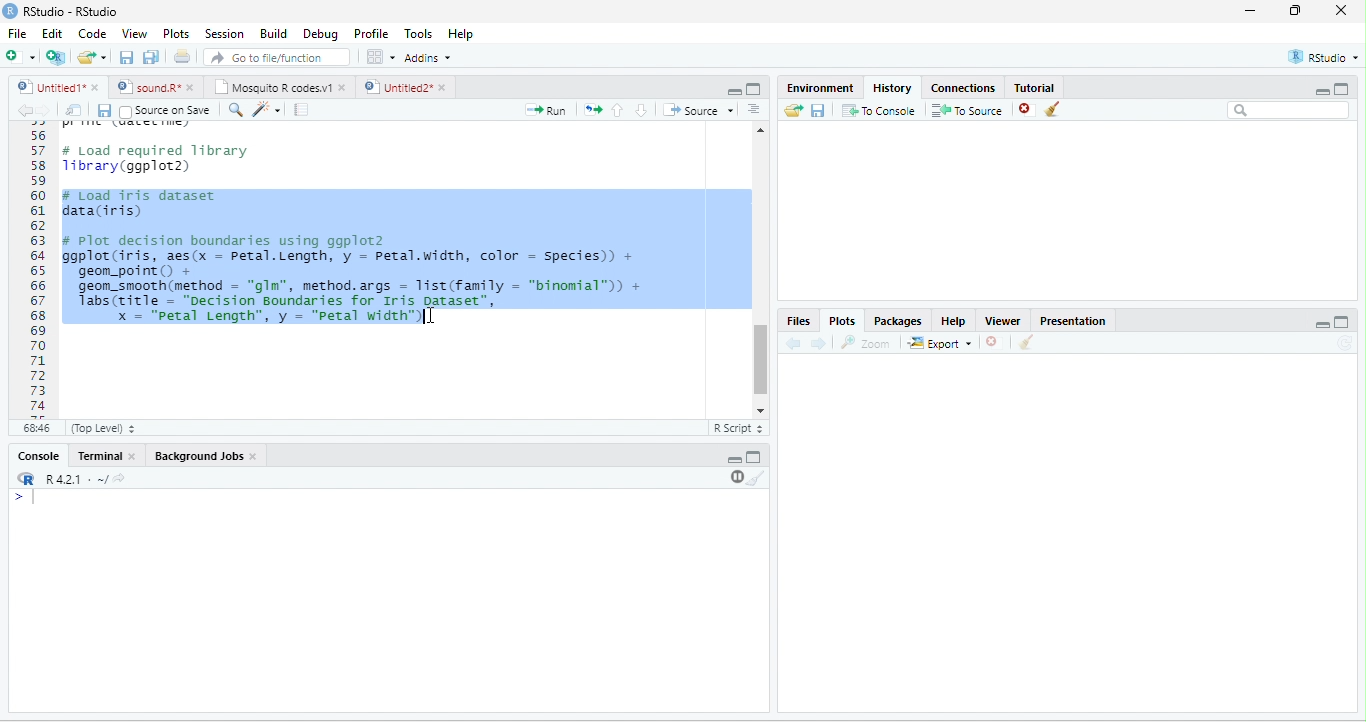 The height and width of the screenshot is (722, 1366). Describe the element at coordinates (818, 344) in the screenshot. I see `forward` at that location.